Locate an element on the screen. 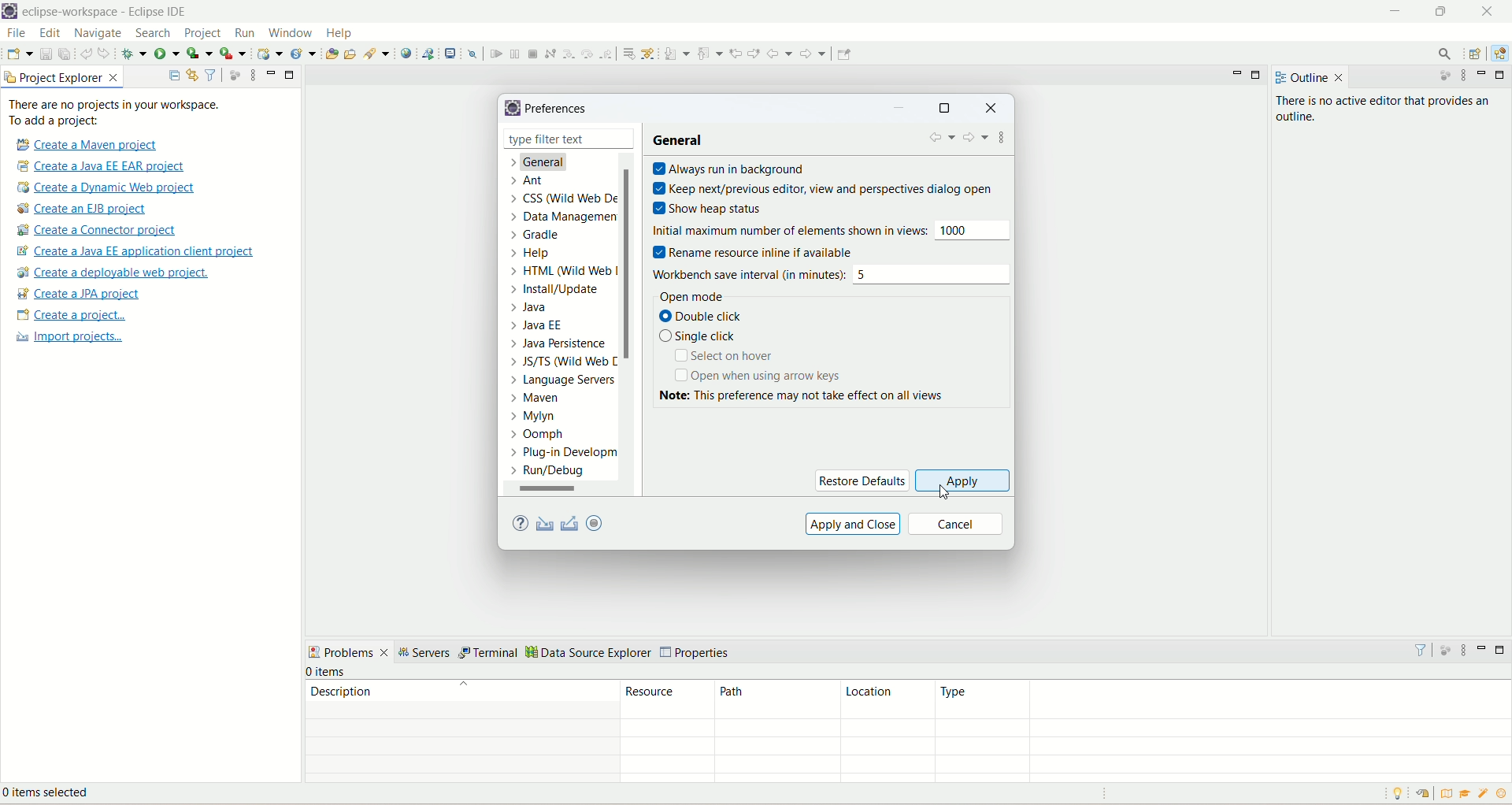  collapse all is located at coordinates (174, 76).